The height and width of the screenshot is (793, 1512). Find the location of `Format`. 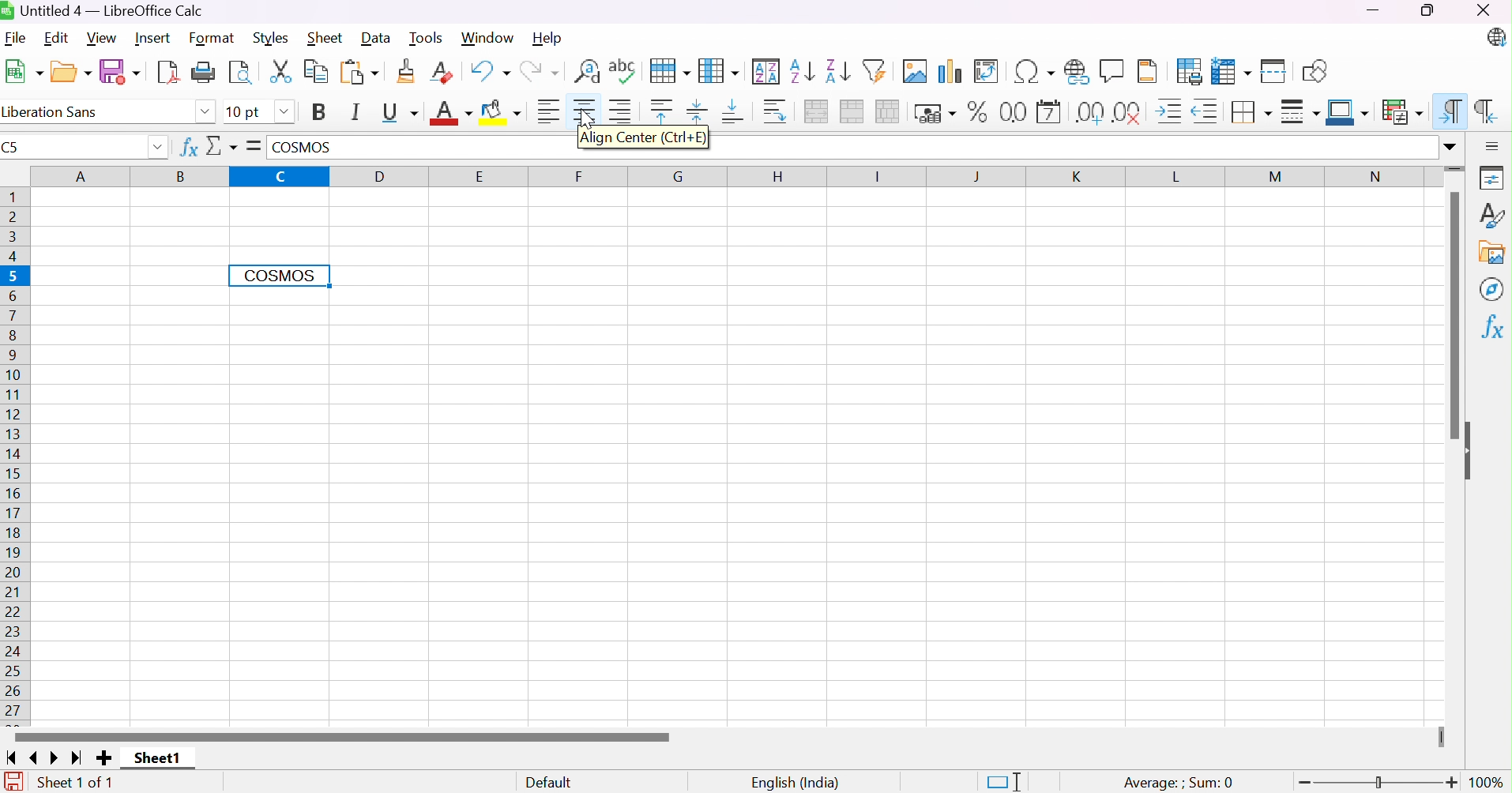

Format is located at coordinates (215, 37).